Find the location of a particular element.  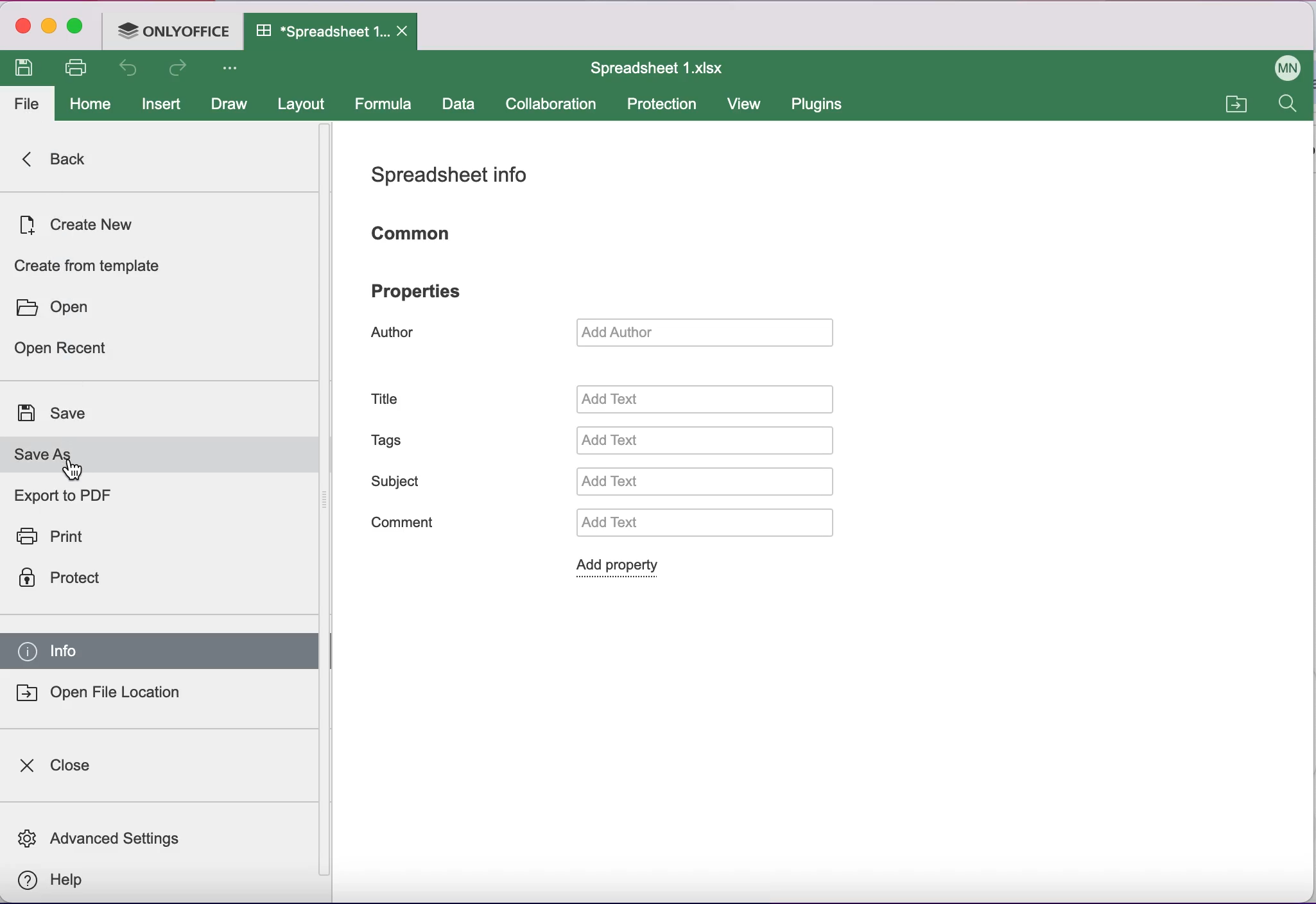

add text is located at coordinates (708, 400).